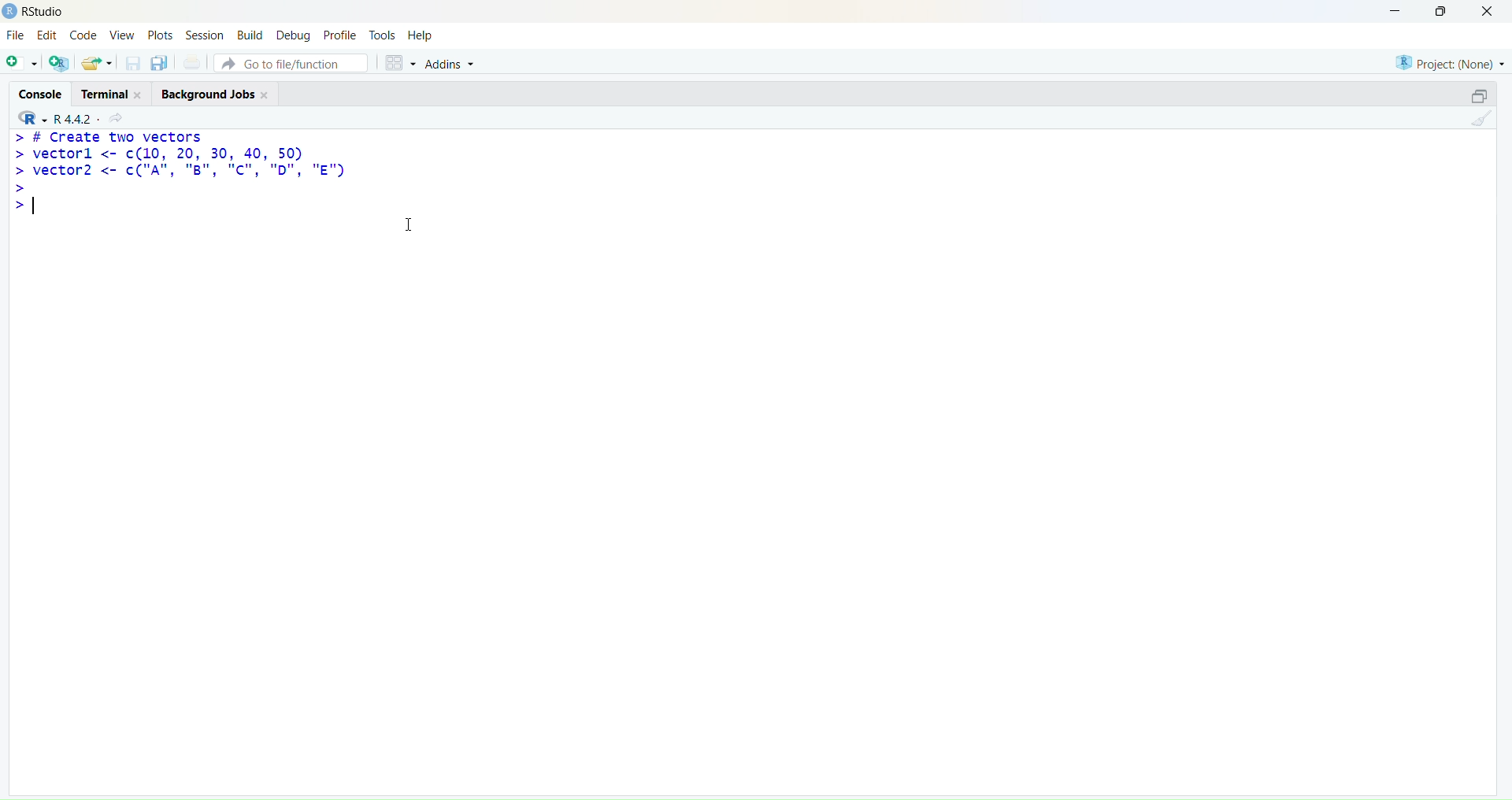 The image size is (1512, 800). What do you see at coordinates (1481, 97) in the screenshot?
I see `minimize` at bounding box center [1481, 97].